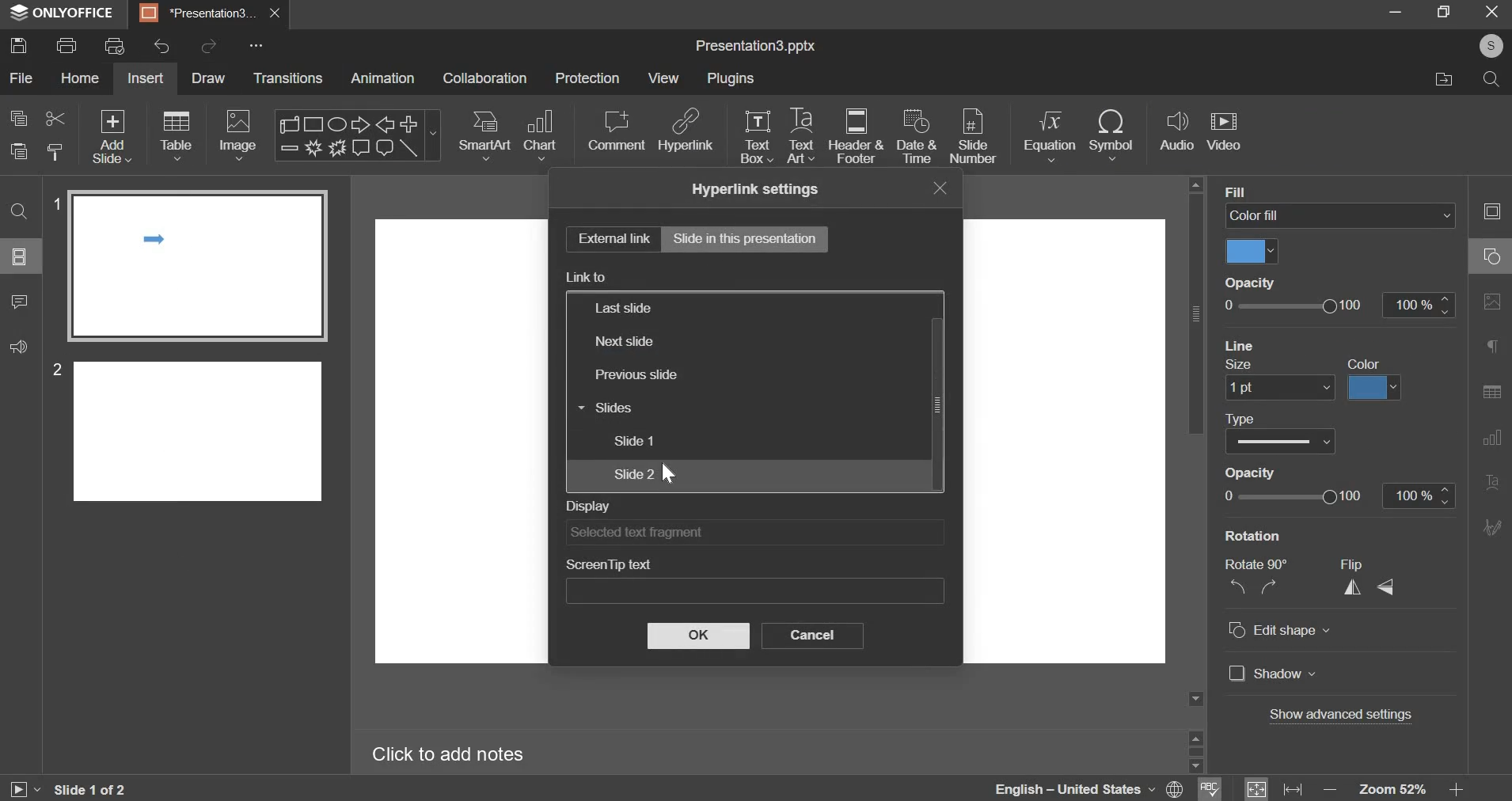 The image size is (1512, 801). Describe the element at coordinates (1364, 364) in the screenshot. I see `color` at that location.